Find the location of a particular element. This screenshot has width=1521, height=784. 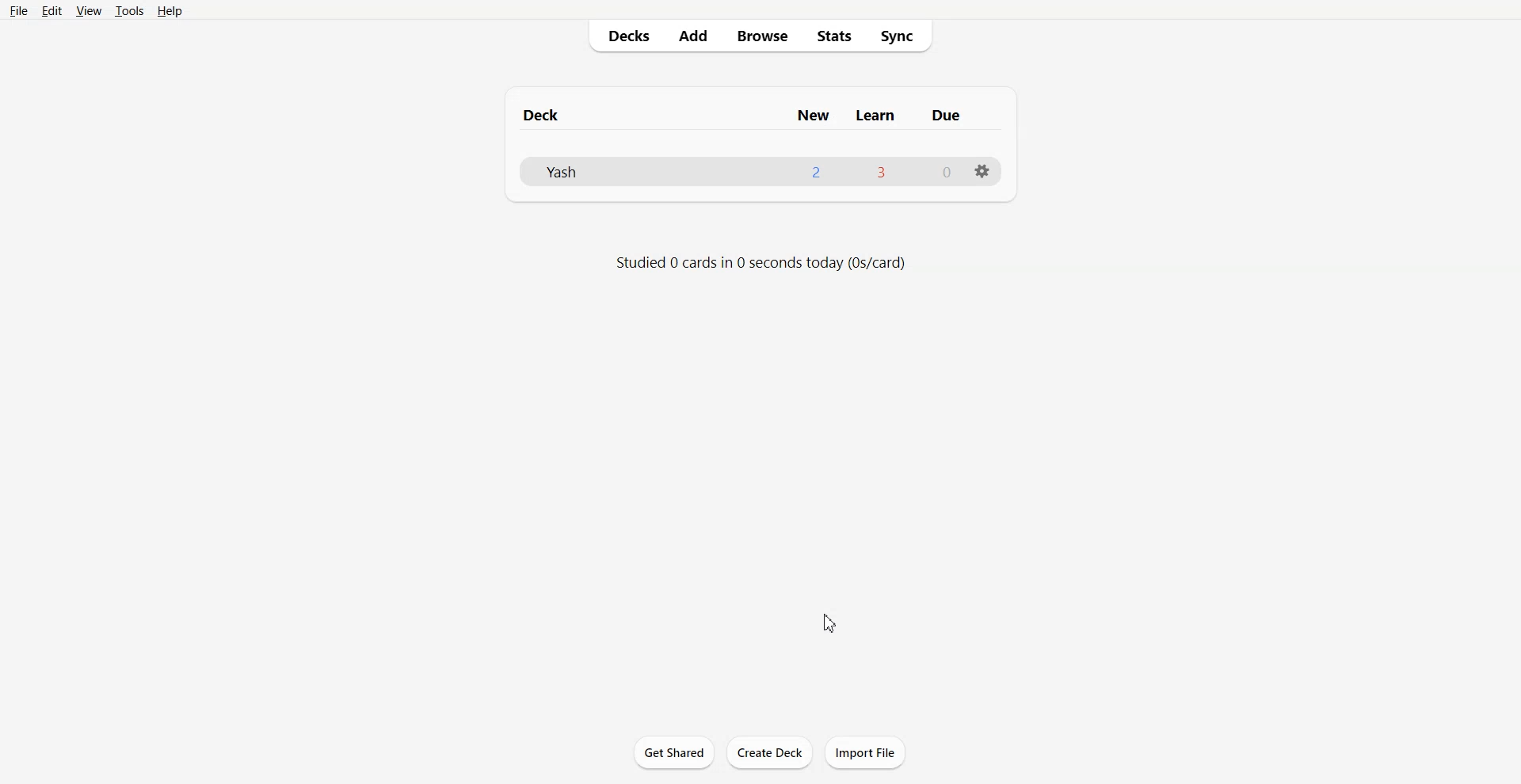

Tools is located at coordinates (128, 11).